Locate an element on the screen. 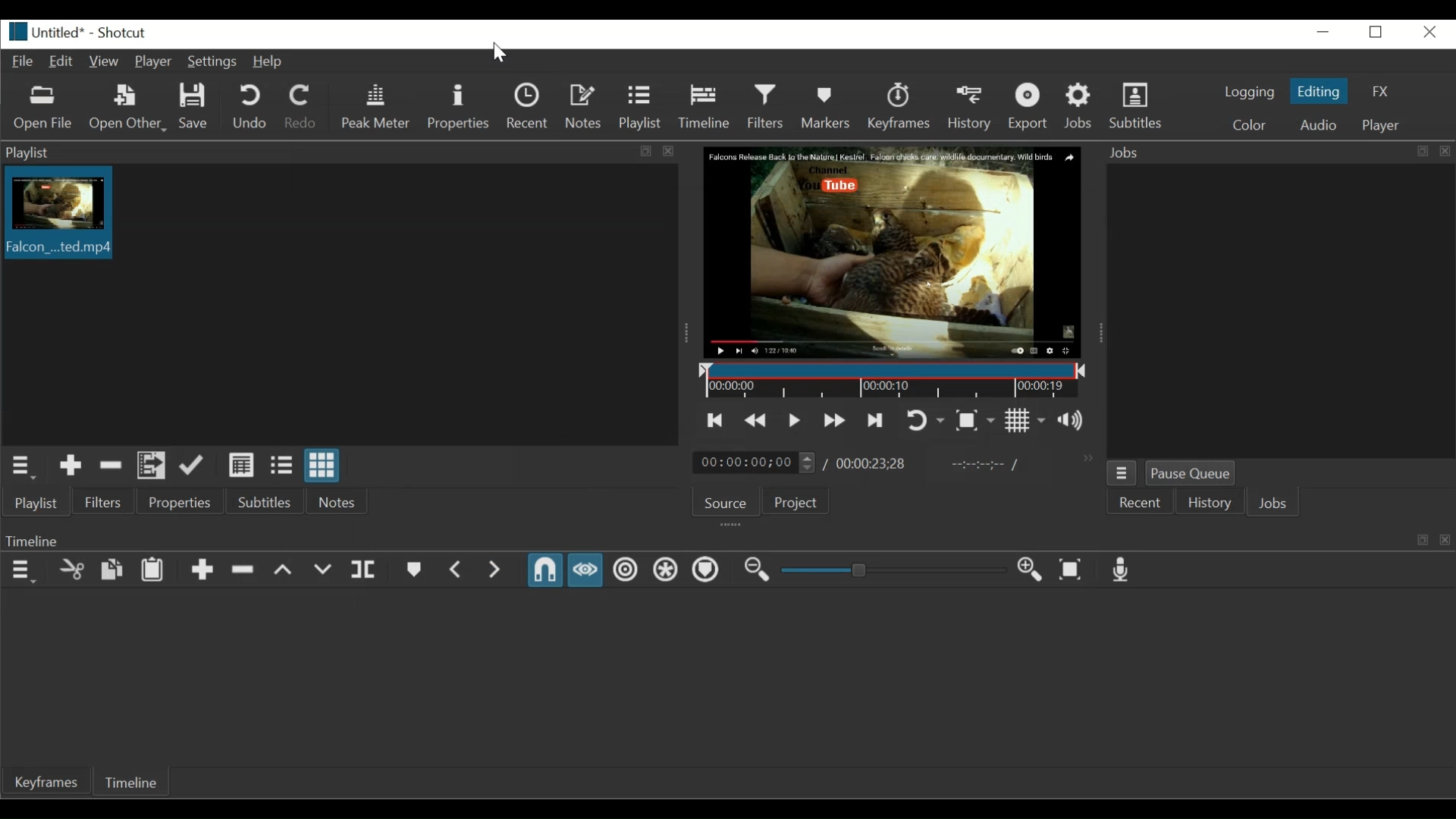 The height and width of the screenshot is (819, 1456). Toggle play or pause is located at coordinates (793, 419).